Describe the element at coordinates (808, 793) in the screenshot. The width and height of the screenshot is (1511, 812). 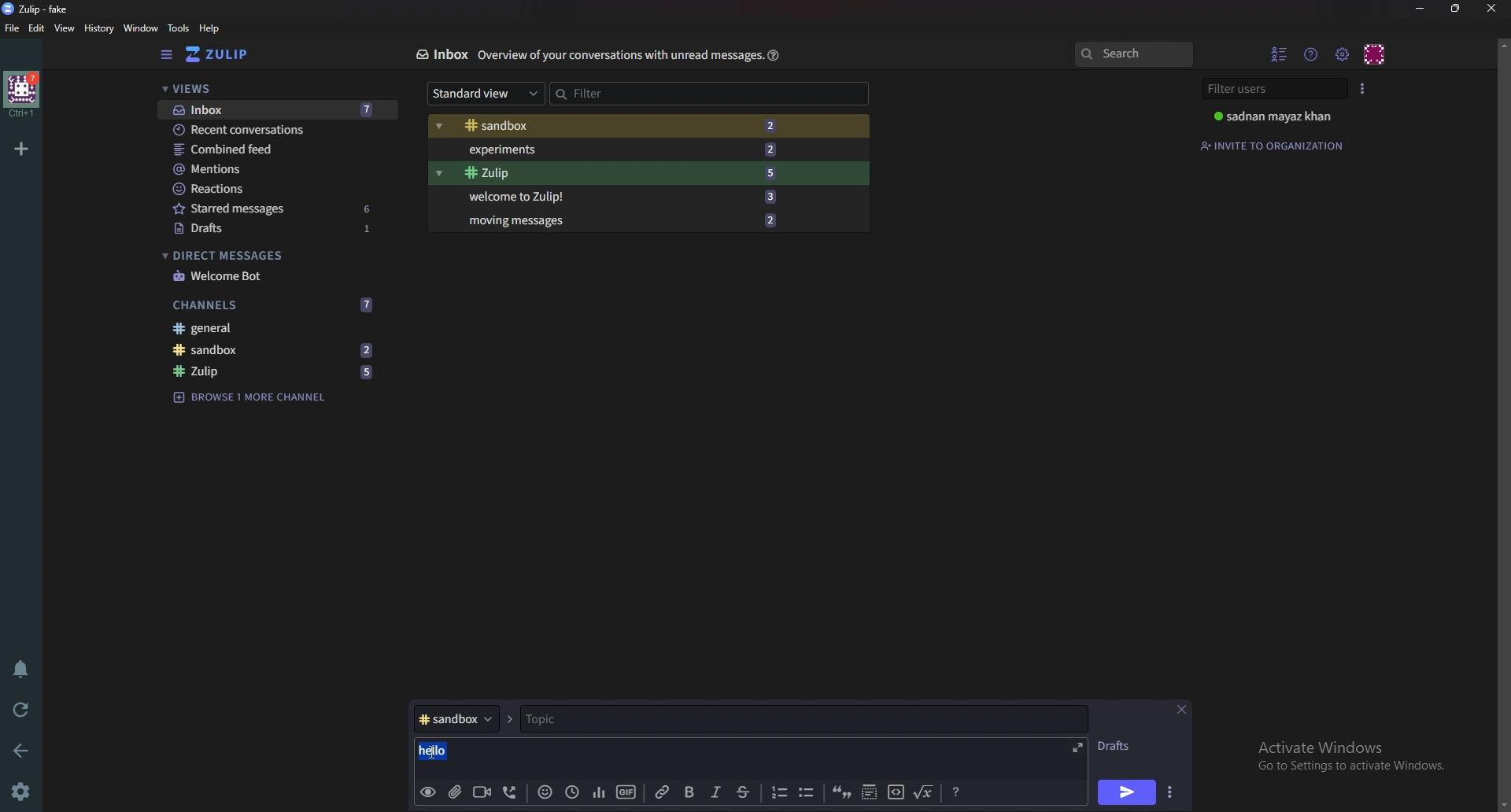
I see `Bullet list` at that location.